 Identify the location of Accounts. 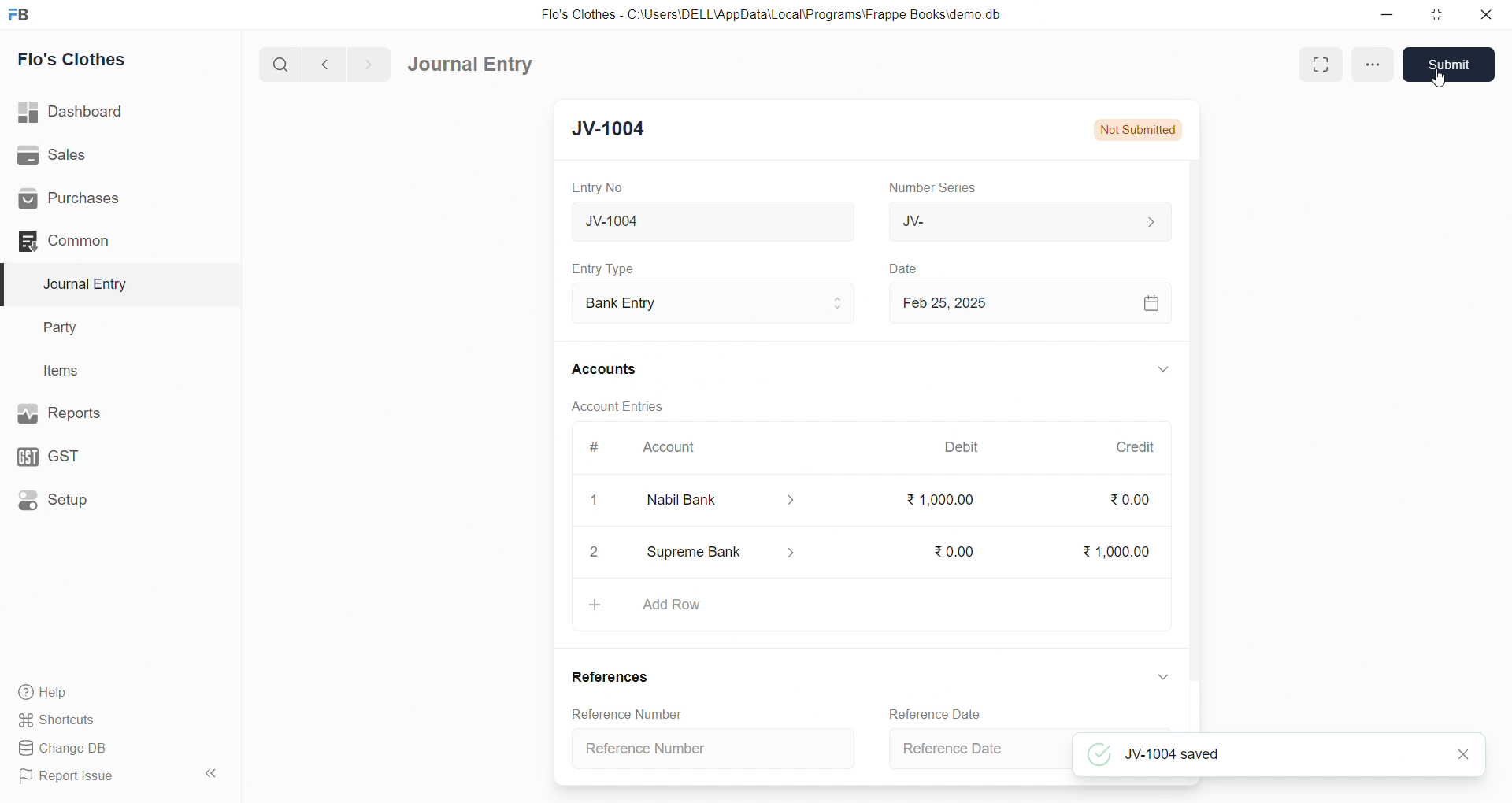
(614, 368).